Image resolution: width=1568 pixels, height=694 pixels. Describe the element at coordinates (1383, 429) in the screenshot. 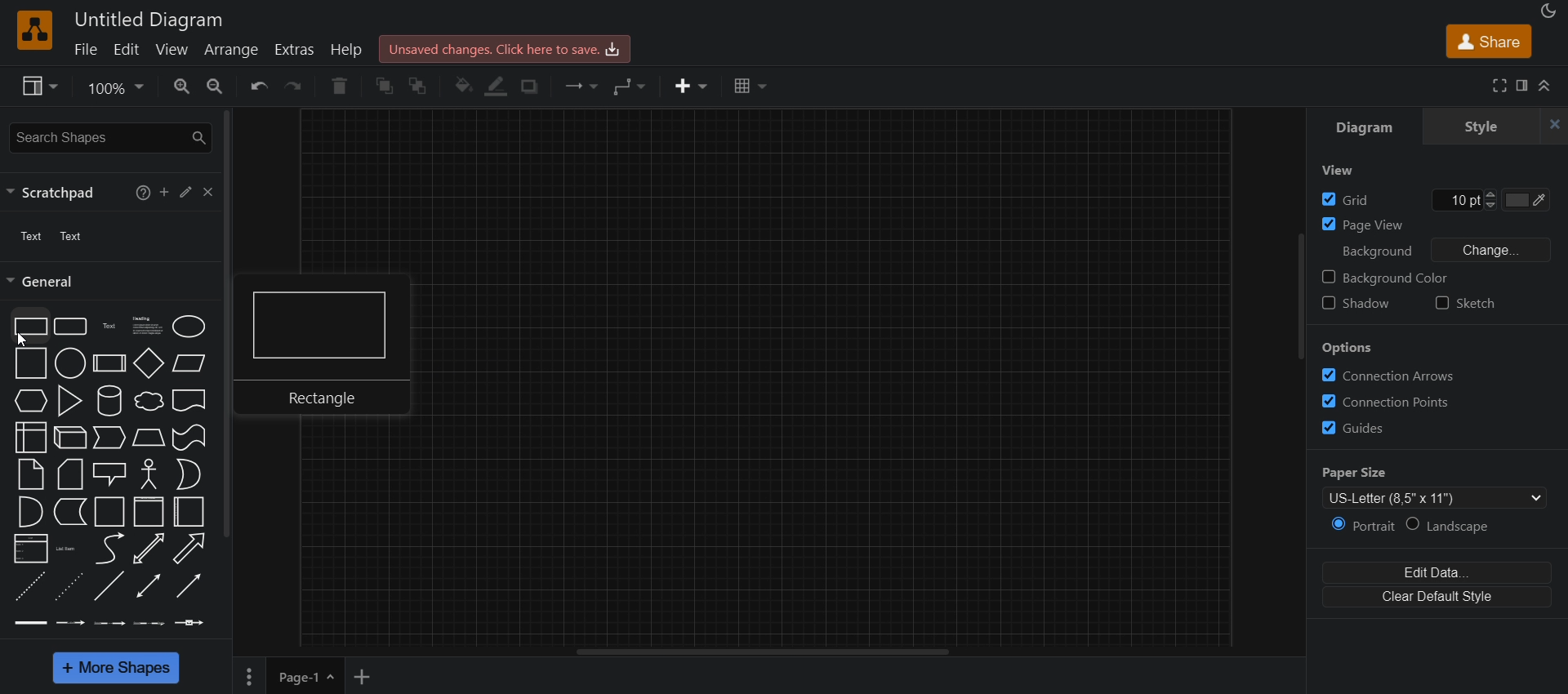

I see `guides` at that location.